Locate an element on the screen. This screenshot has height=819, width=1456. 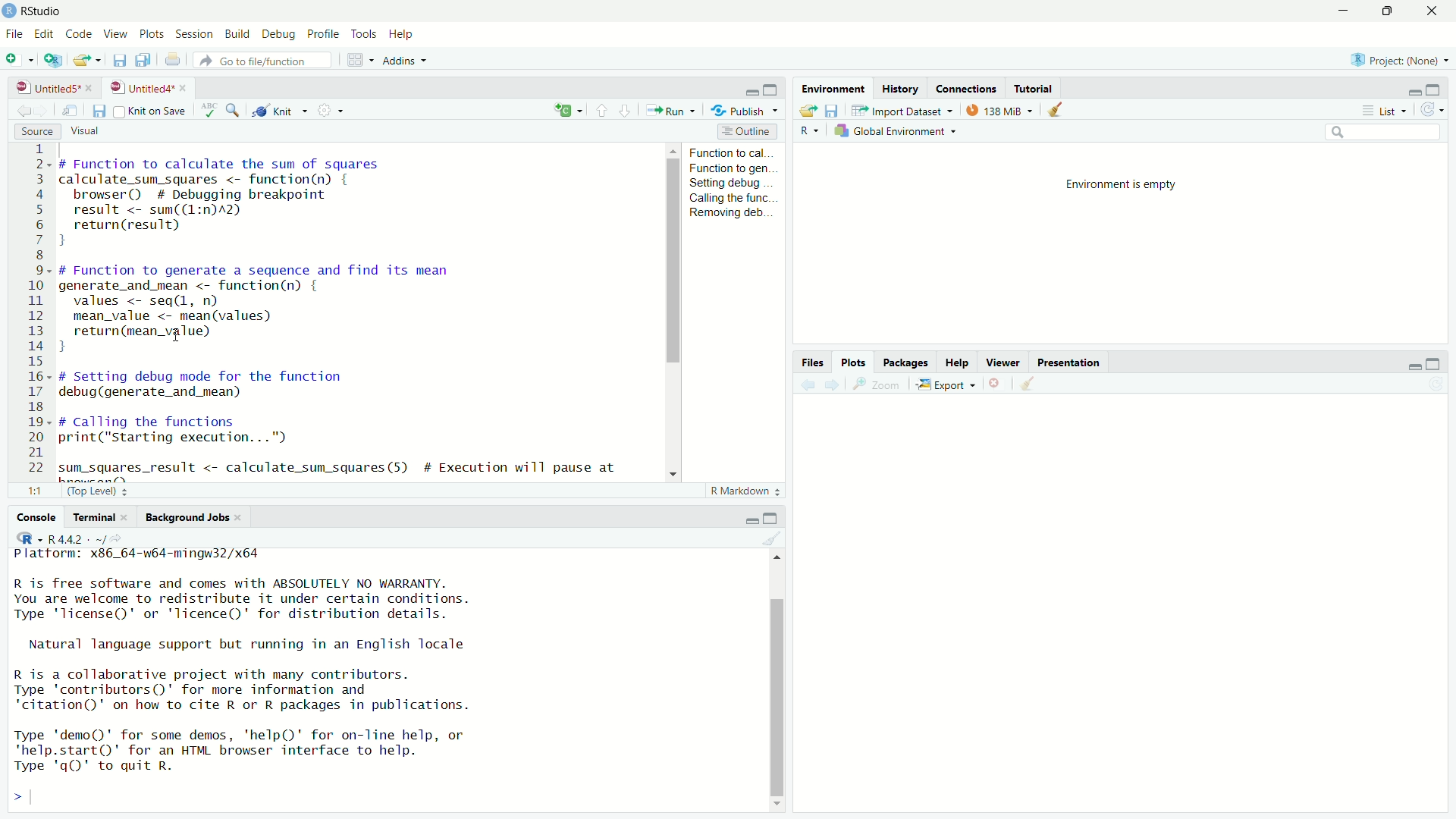
scrollbar is located at coordinates (672, 310).